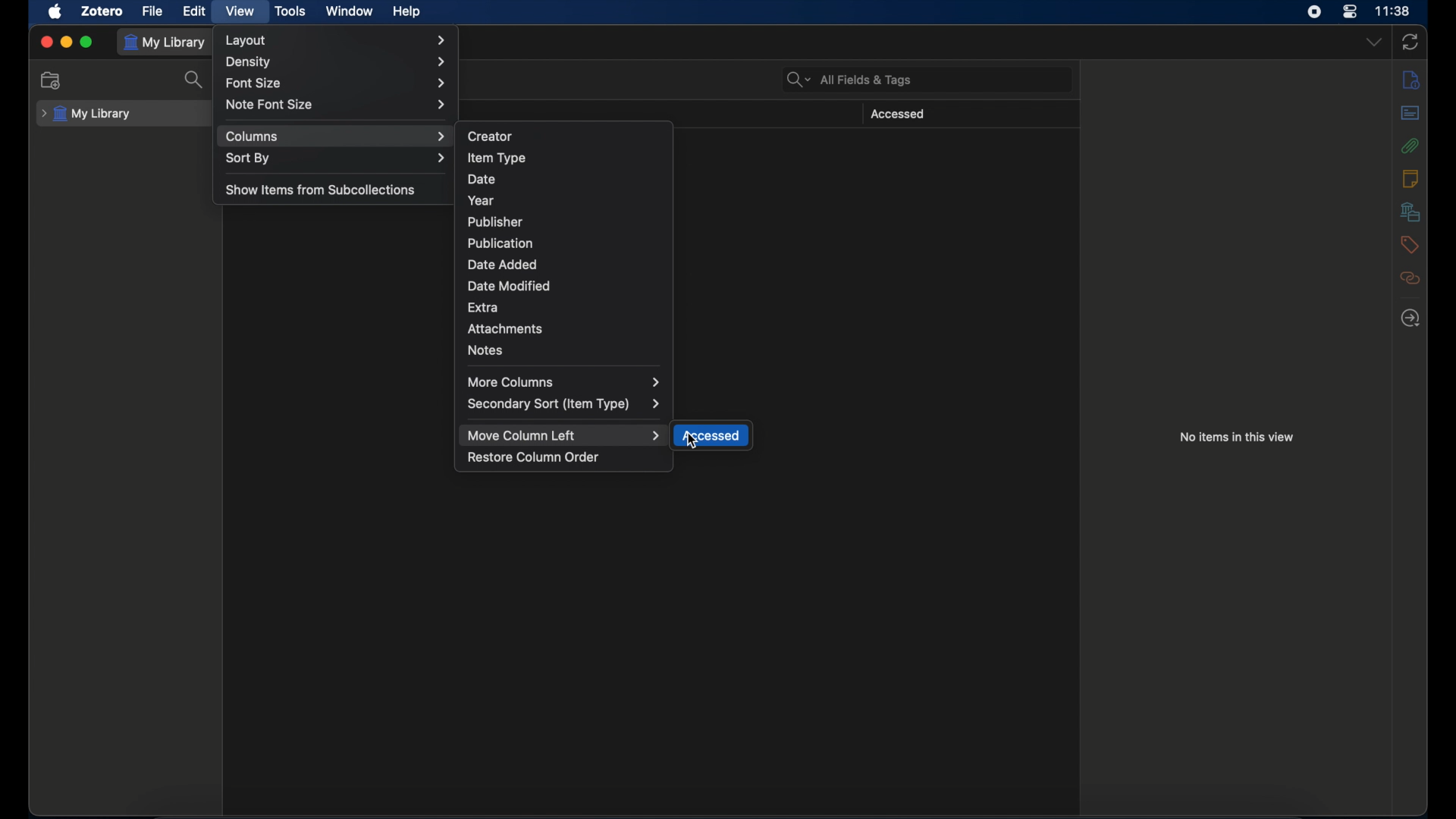 The height and width of the screenshot is (819, 1456). I want to click on locate, so click(1410, 318).